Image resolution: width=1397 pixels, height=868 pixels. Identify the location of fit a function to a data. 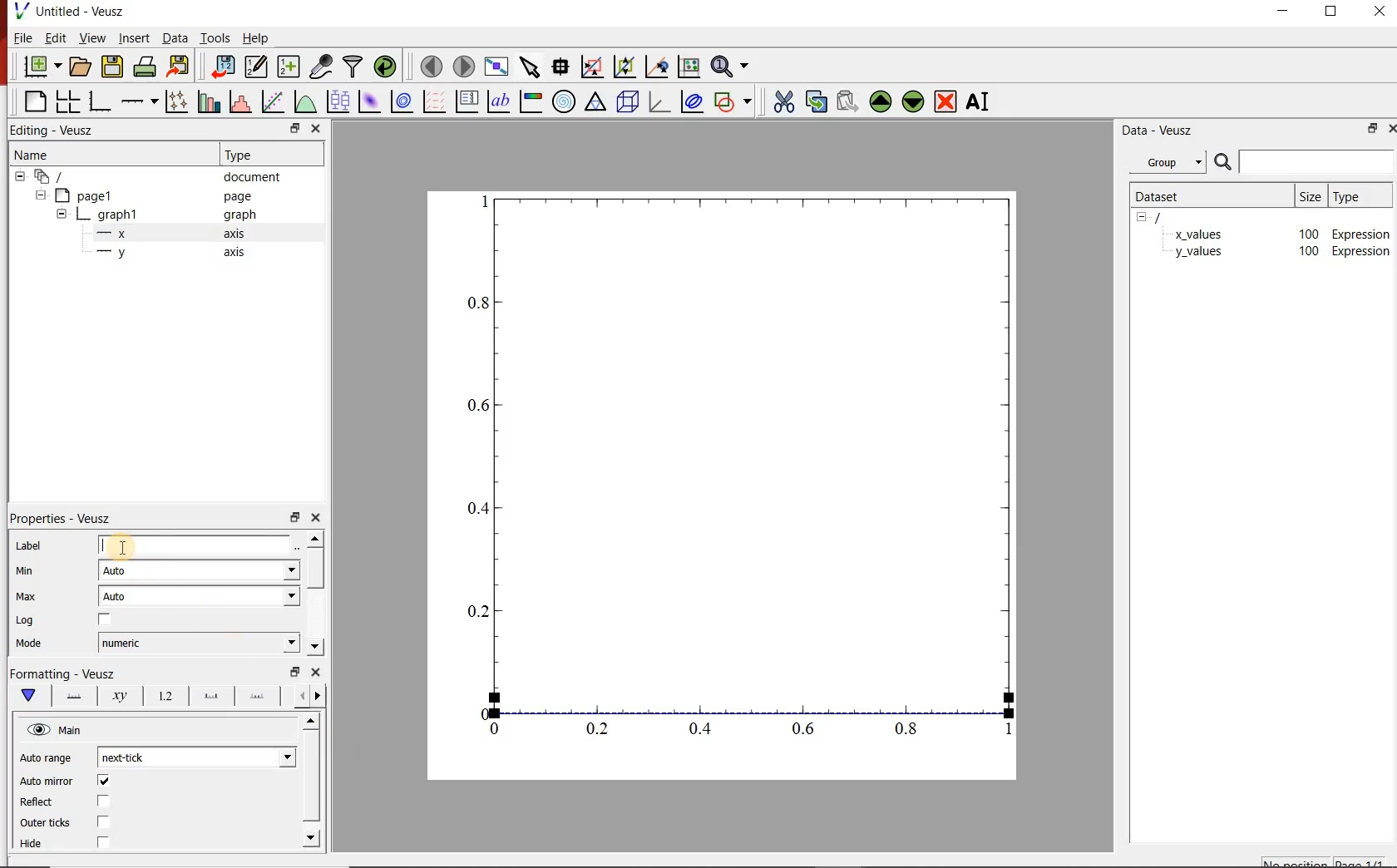
(273, 101).